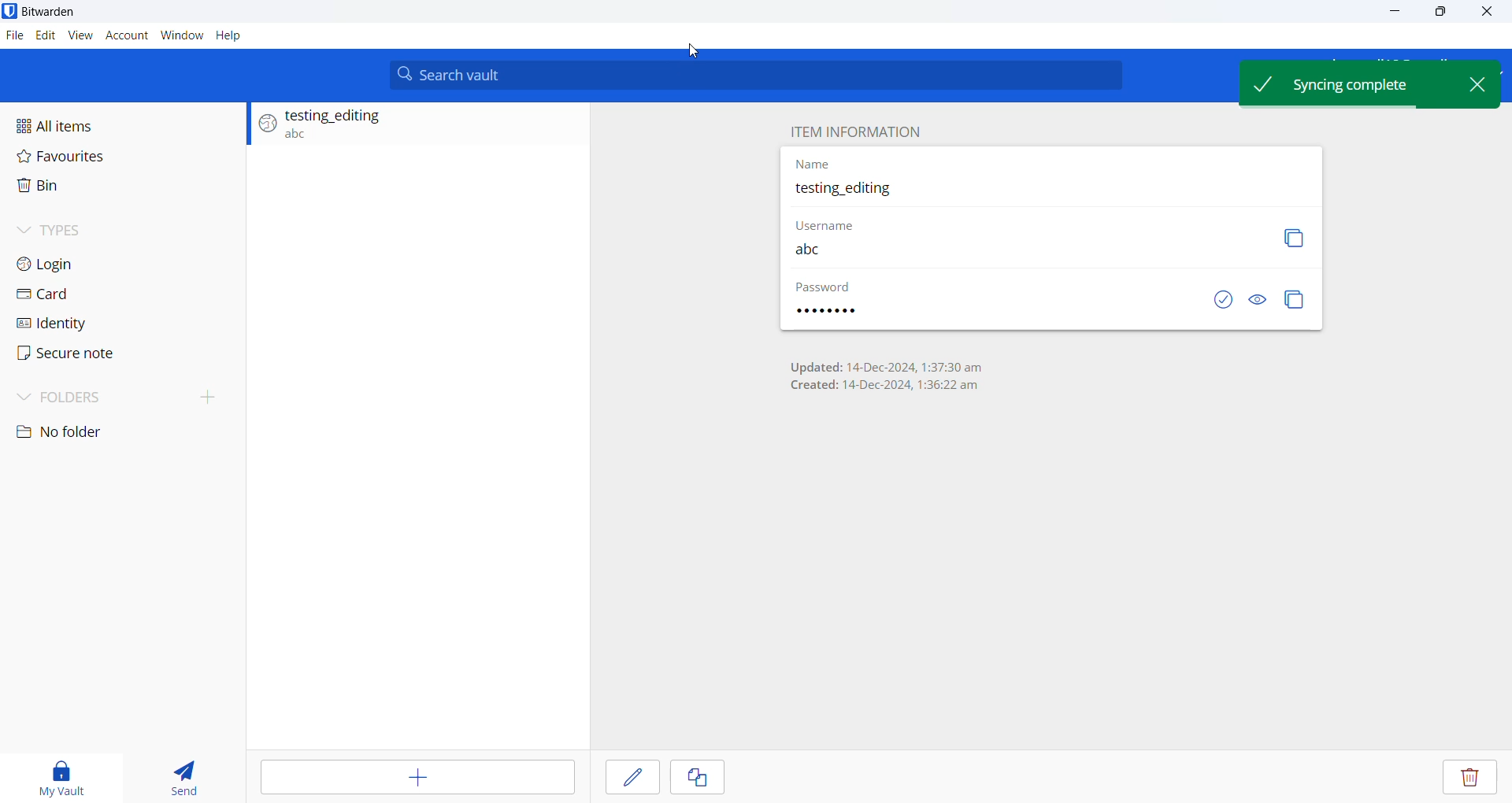 The height and width of the screenshot is (803, 1512). I want to click on Identity, so click(98, 322).